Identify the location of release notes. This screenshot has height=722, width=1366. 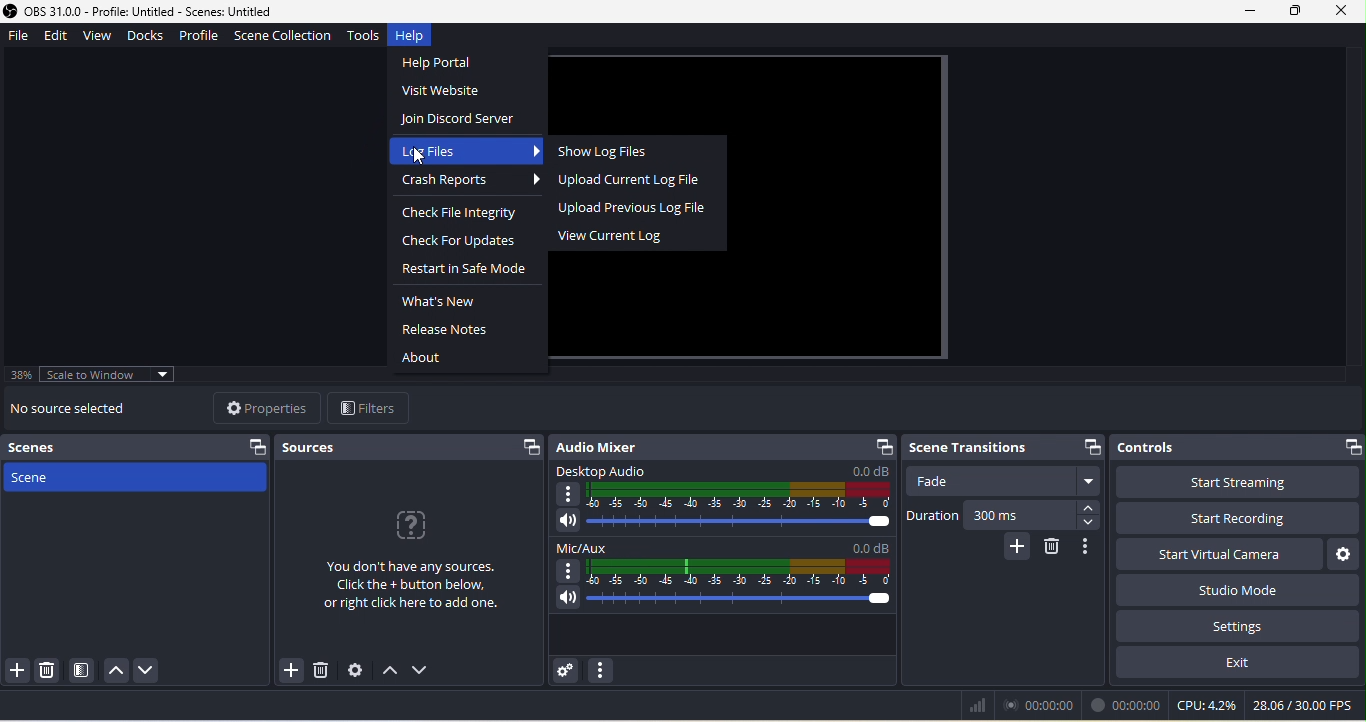
(448, 330).